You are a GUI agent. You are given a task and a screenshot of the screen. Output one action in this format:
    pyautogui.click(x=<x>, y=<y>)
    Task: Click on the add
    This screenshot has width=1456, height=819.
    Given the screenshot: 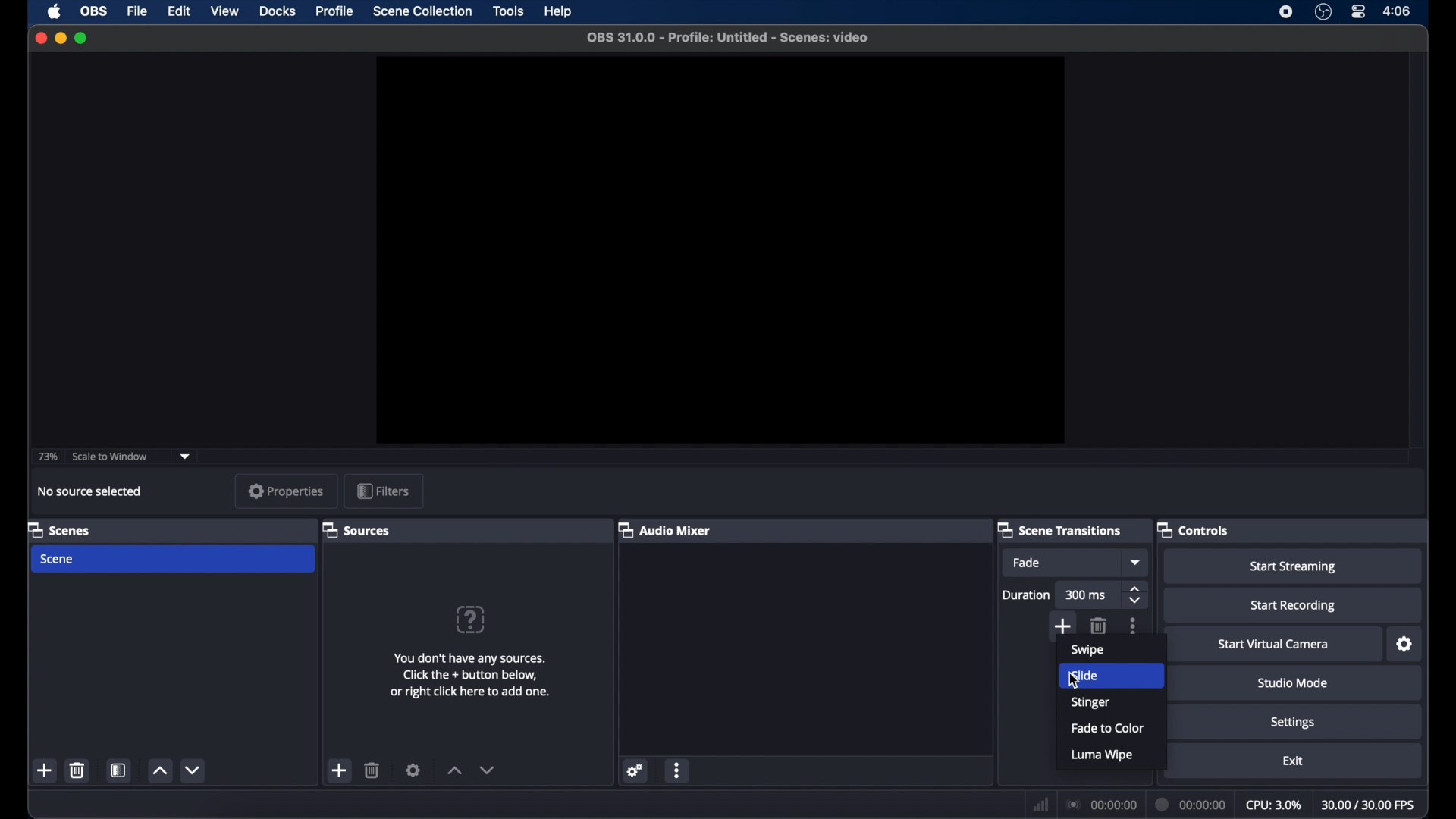 What is the action you would take?
    pyautogui.click(x=338, y=770)
    